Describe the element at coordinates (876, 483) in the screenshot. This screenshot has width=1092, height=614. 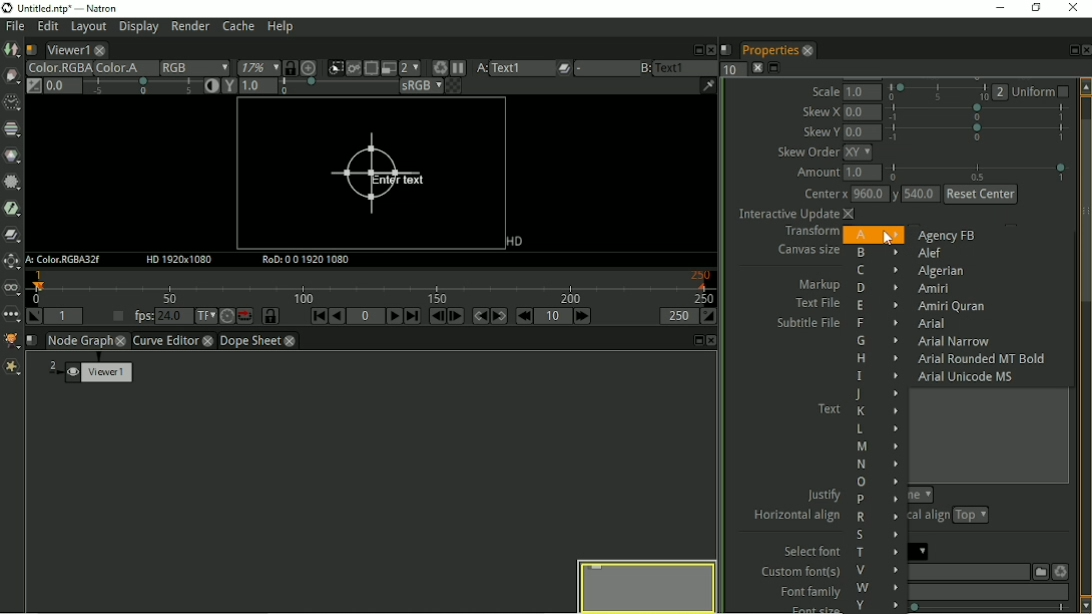
I see `O` at that location.